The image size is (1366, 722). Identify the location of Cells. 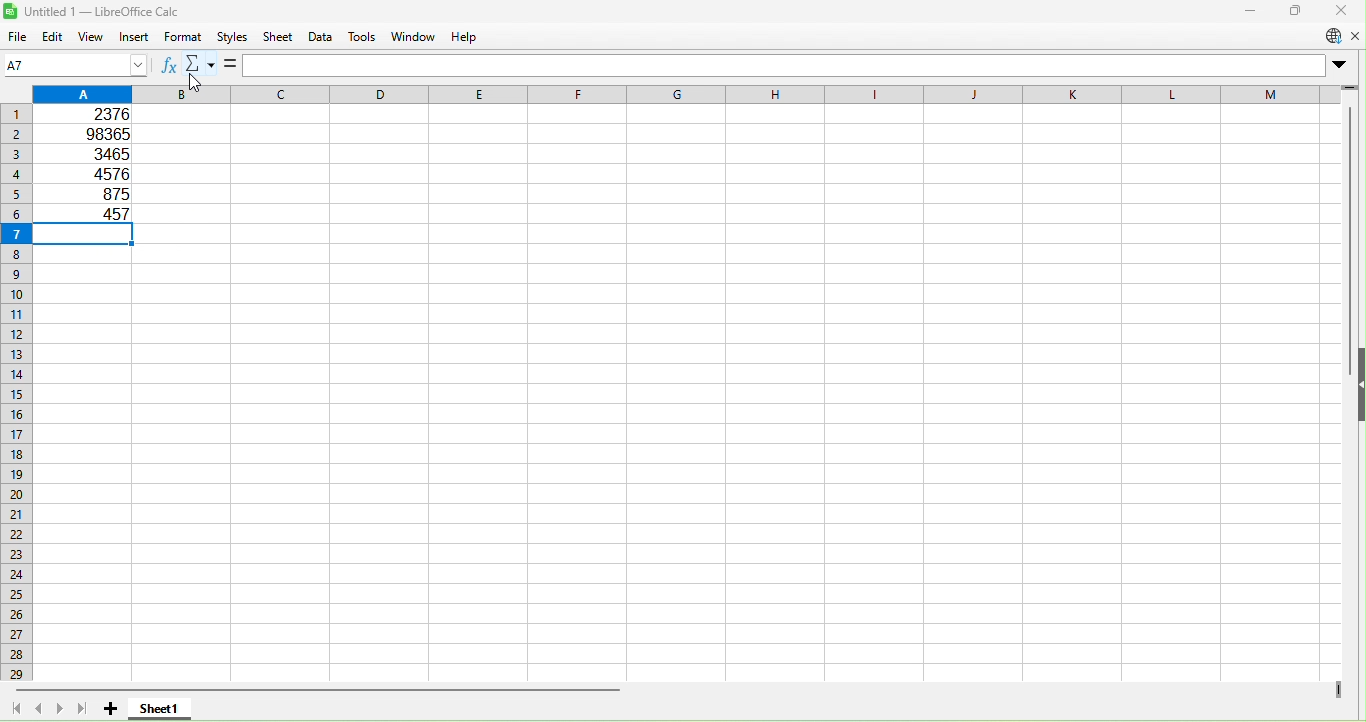
(690, 465).